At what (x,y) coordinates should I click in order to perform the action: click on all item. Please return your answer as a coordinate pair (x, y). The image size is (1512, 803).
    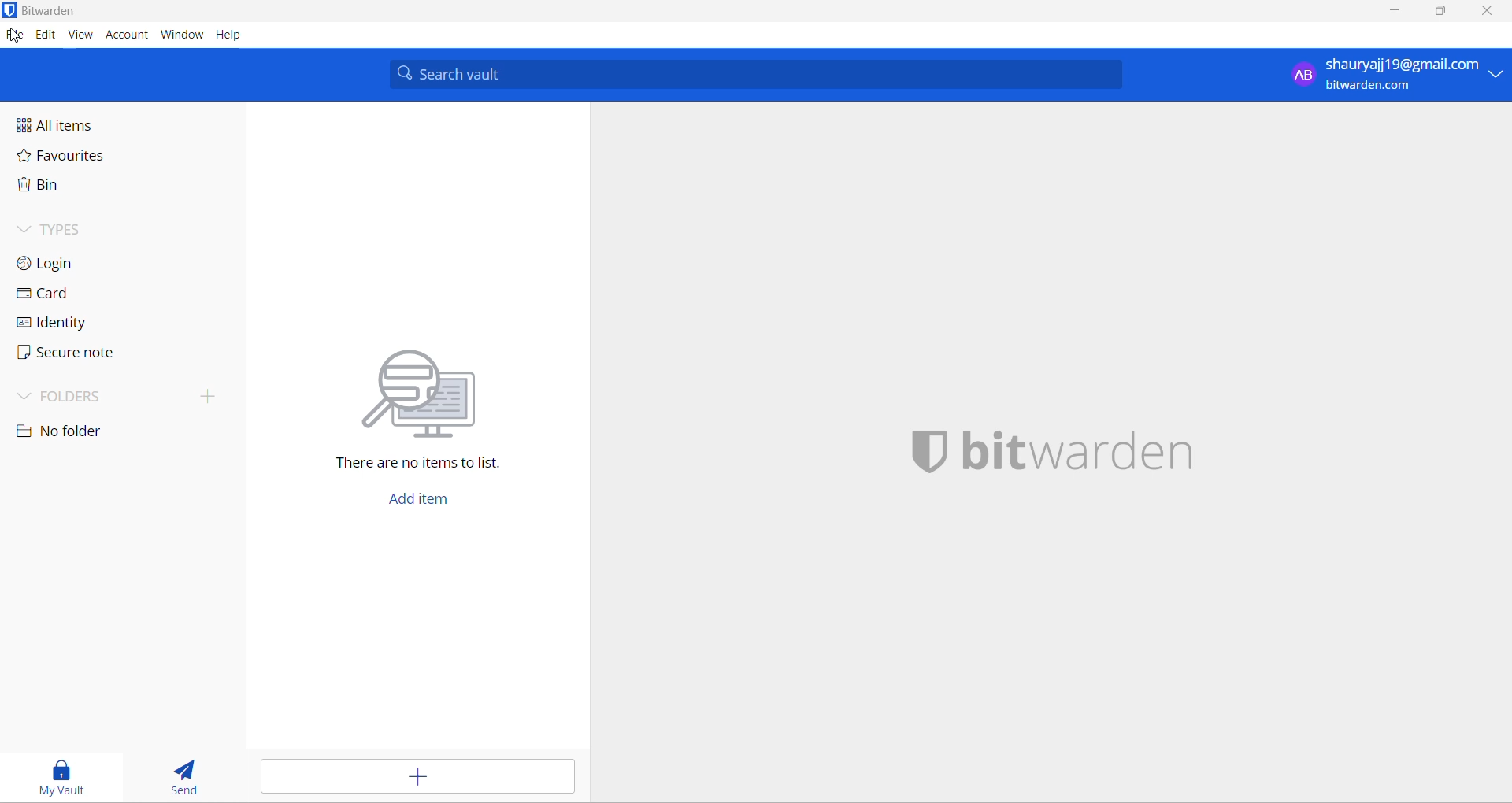
    Looking at the image, I should click on (101, 124).